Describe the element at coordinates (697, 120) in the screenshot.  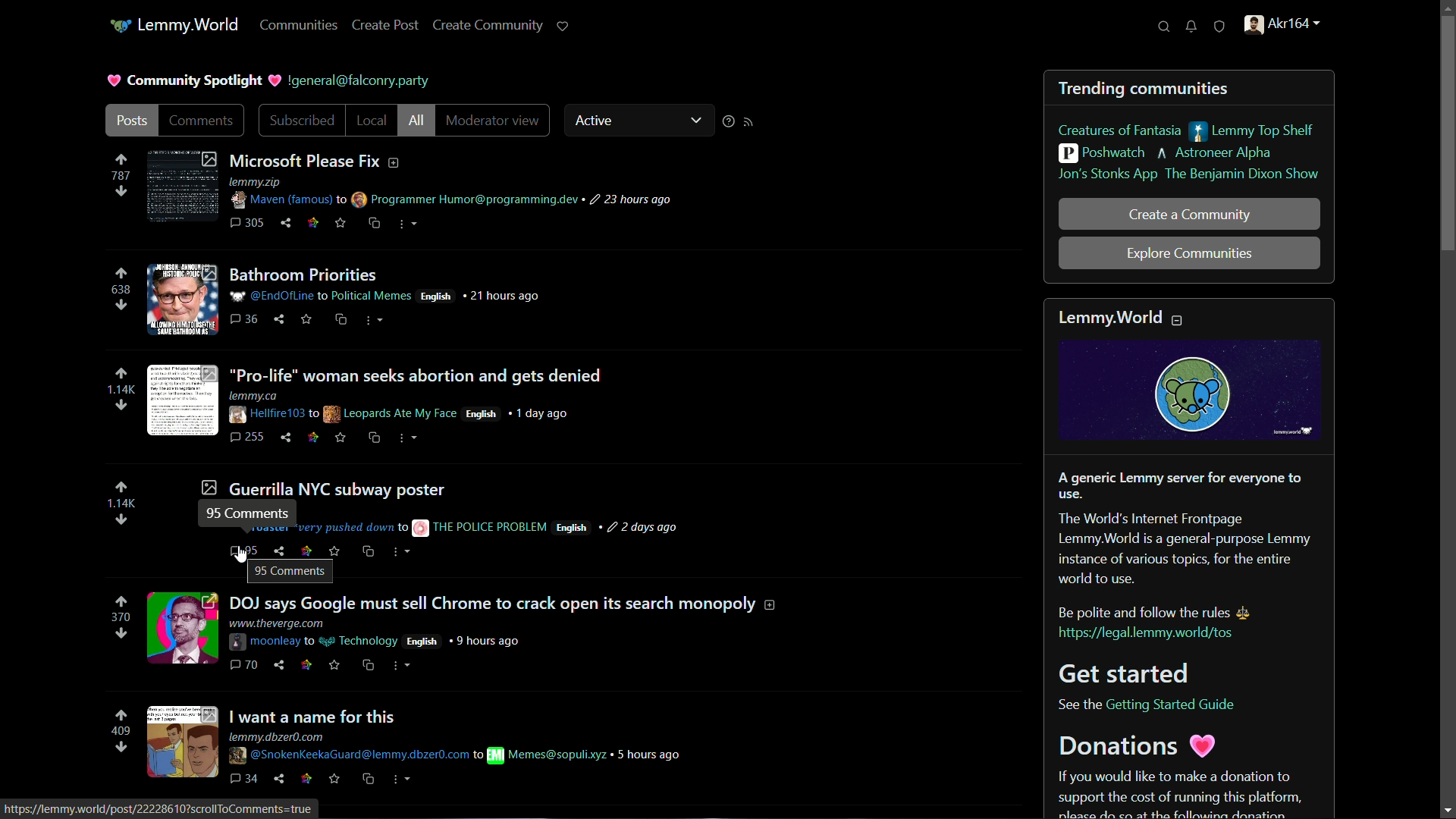
I see `dropdown` at that location.